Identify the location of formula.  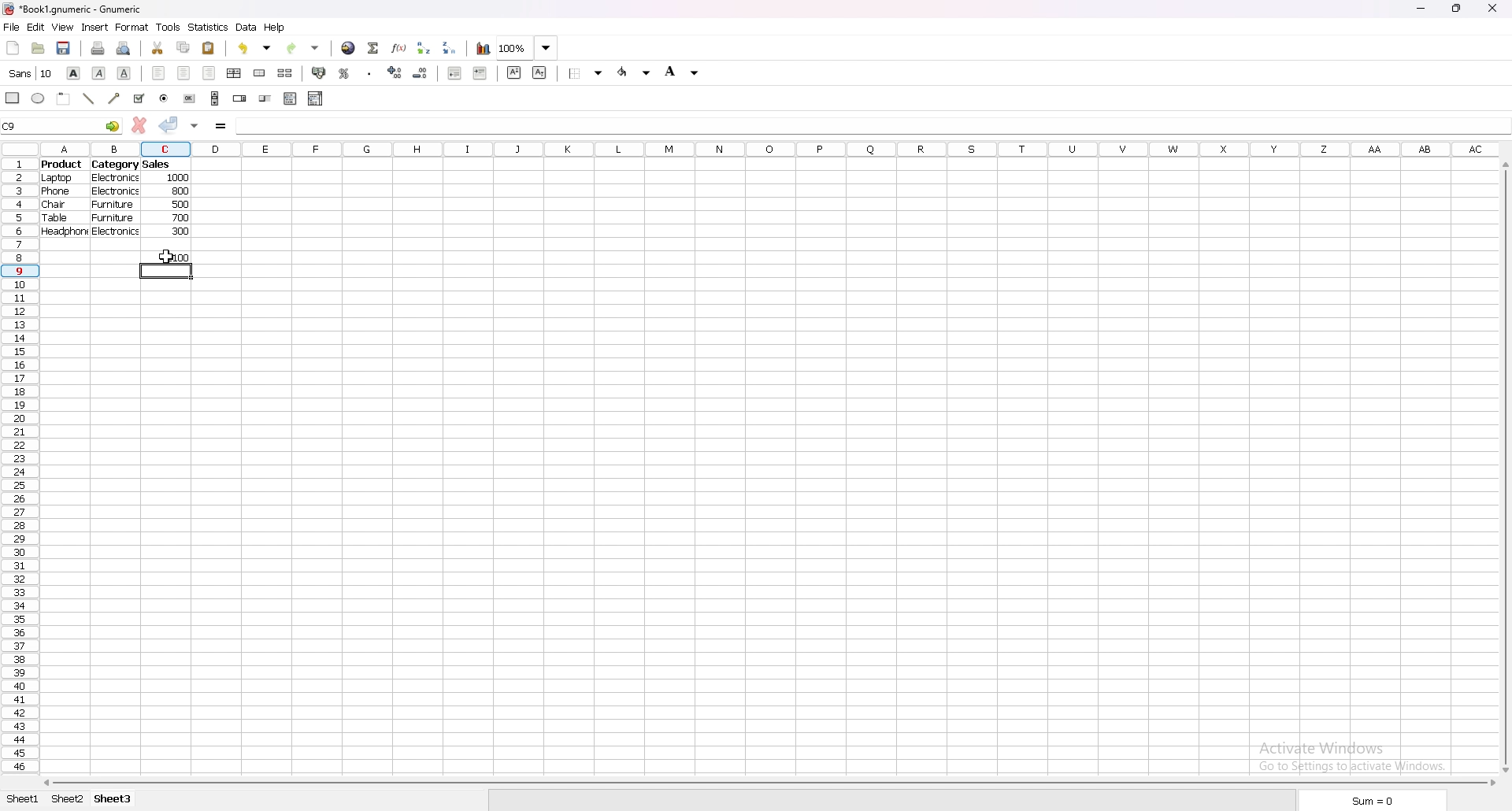
(845, 126).